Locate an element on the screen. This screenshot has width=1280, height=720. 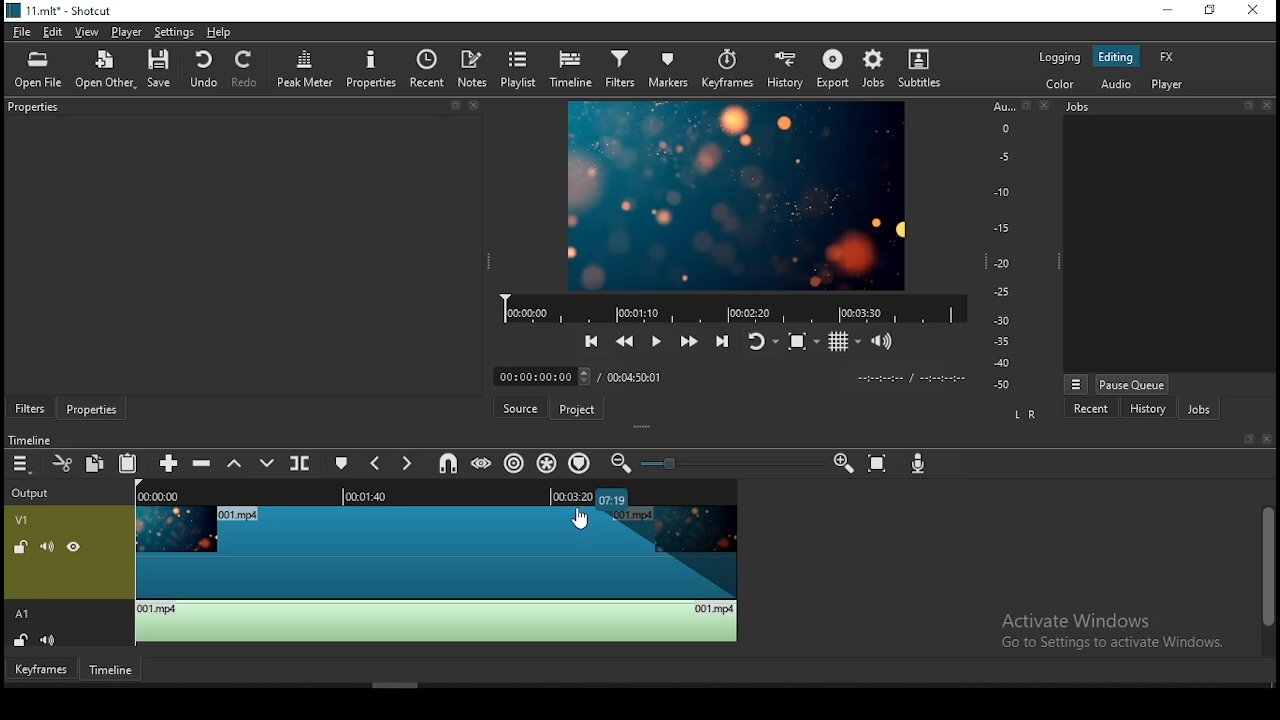
Timeline is located at coordinates (30, 439).